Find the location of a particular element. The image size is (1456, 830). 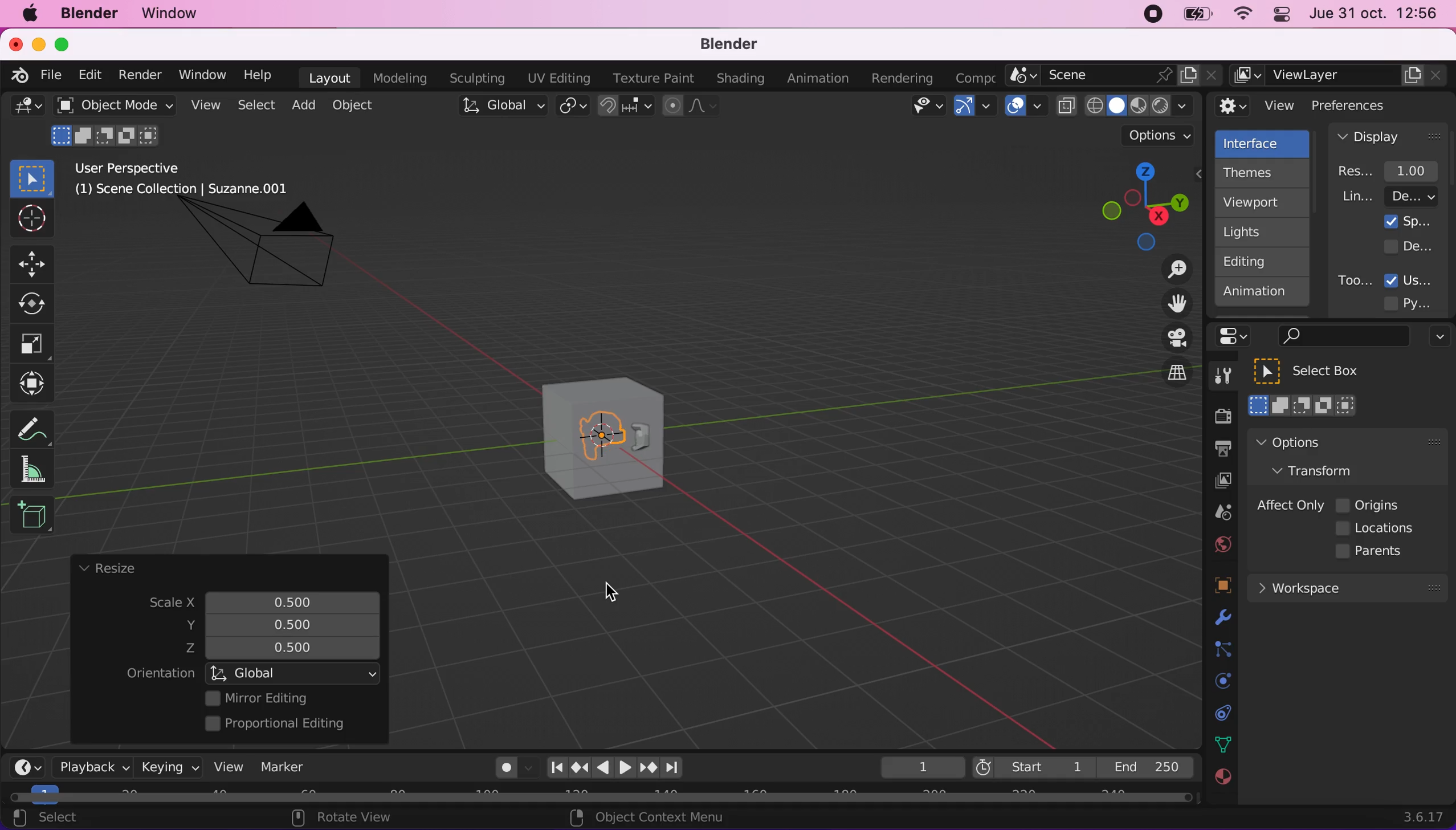

playback is located at coordinates (89, 766).